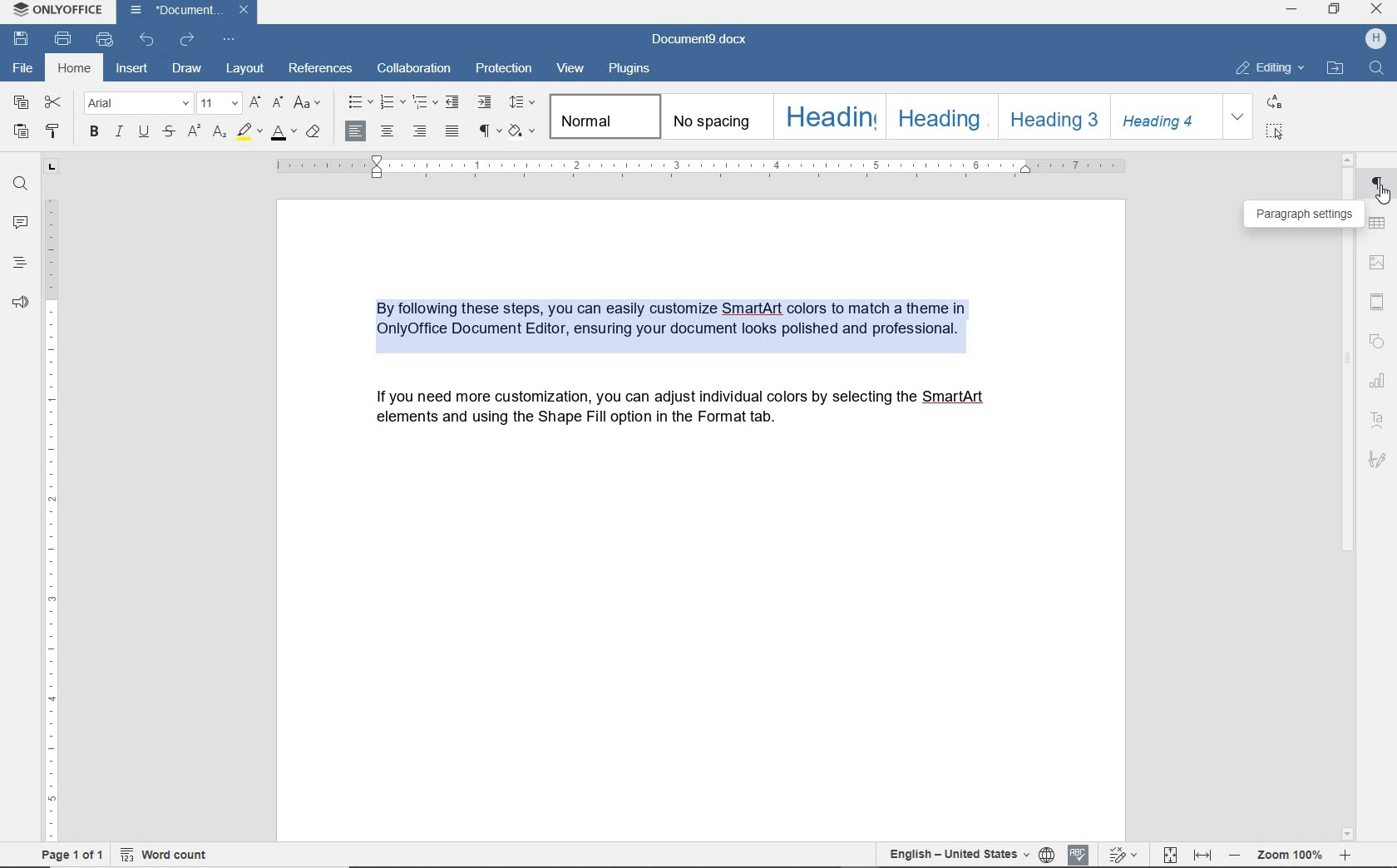  What do you see at coordinates (697, 413) in the screenshot?
I see `If you need more customization, you can adjust individual colors by selecting the SmartArt
elements and using the Shape Fill option in the Format tab.` at bounding box center [697, 413].